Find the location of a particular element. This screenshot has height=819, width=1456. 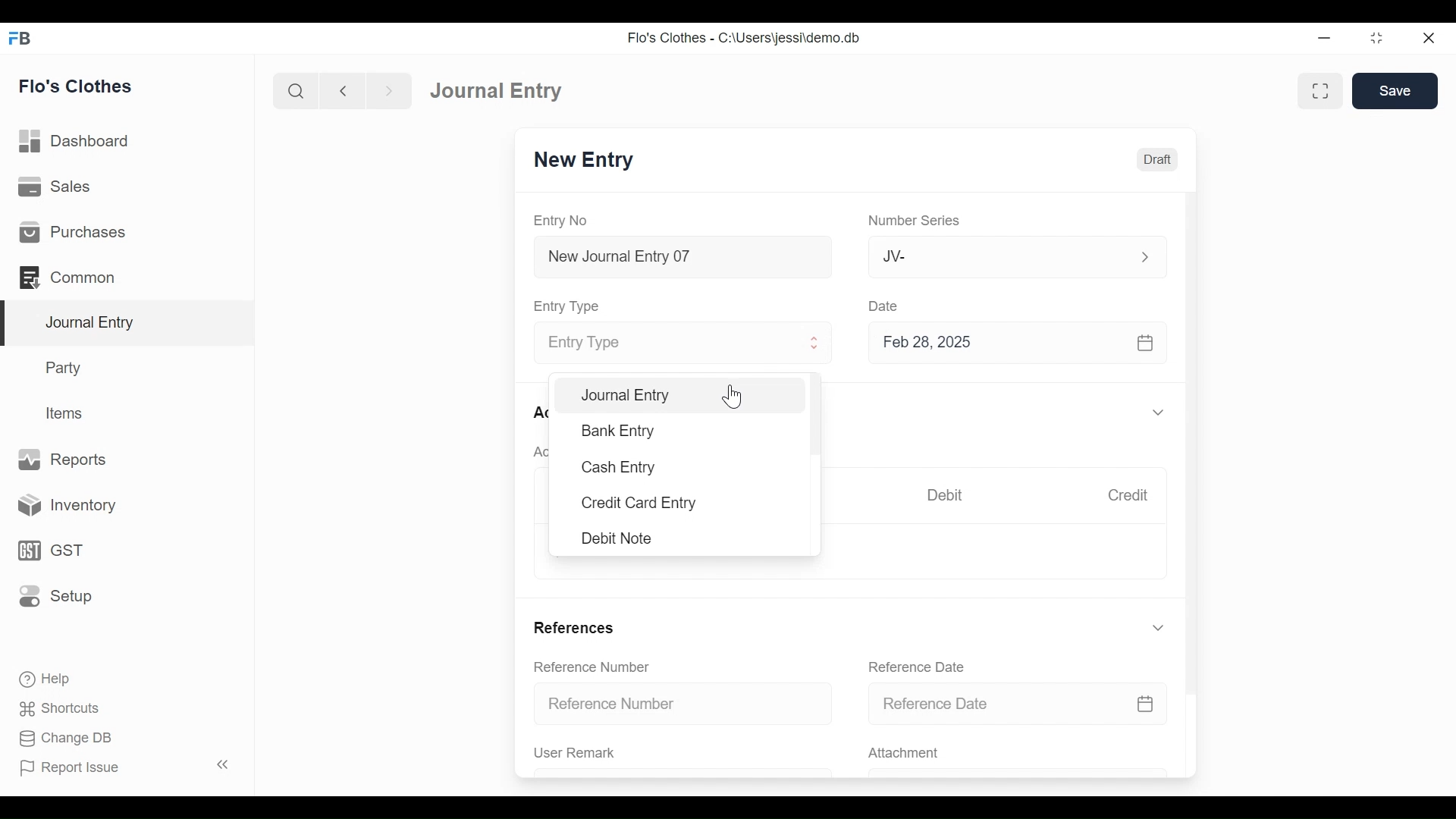

Feb 28, 2025 is located at coordinates (1011, 345).